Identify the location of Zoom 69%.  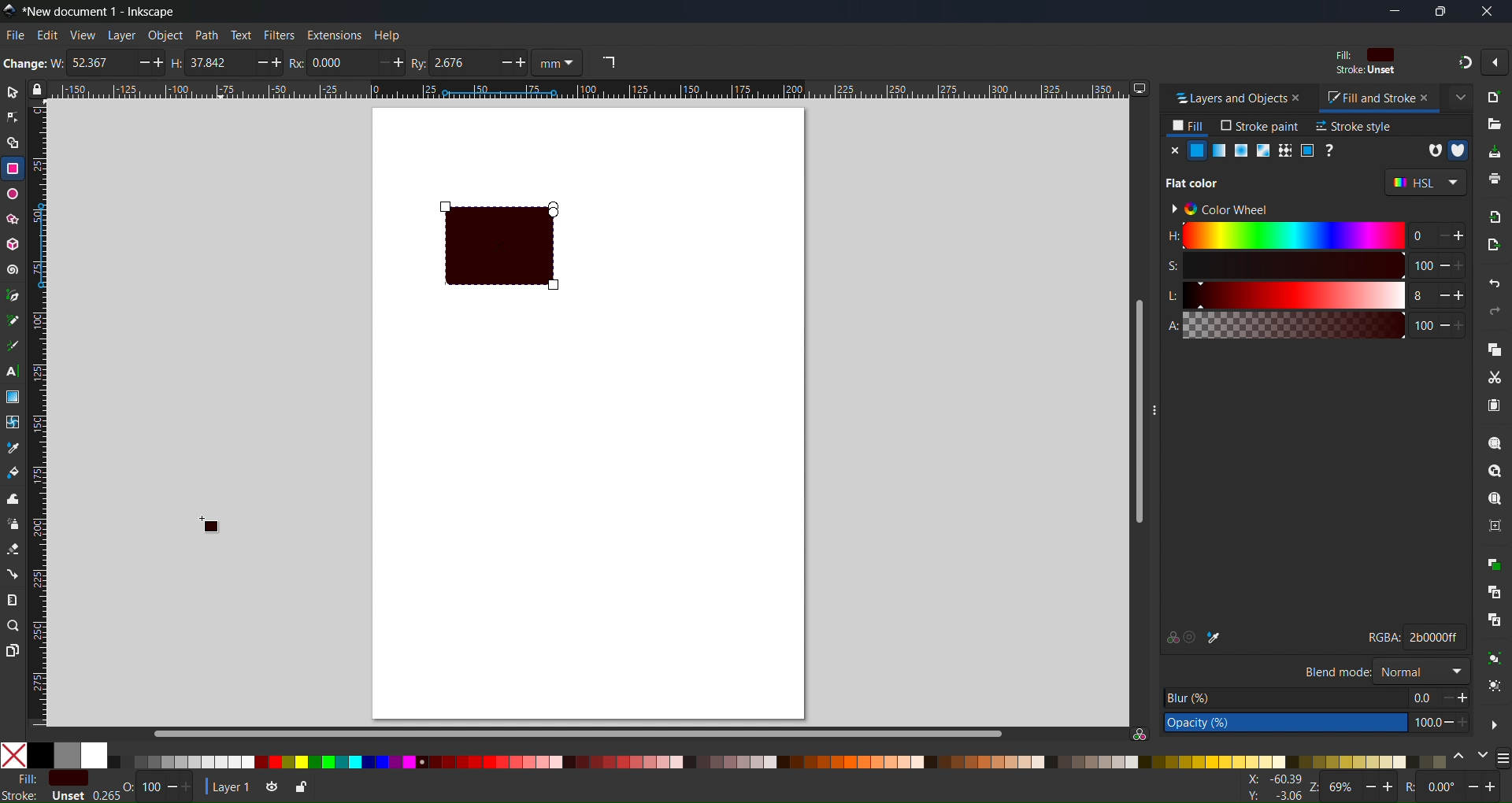
(1342, 789).